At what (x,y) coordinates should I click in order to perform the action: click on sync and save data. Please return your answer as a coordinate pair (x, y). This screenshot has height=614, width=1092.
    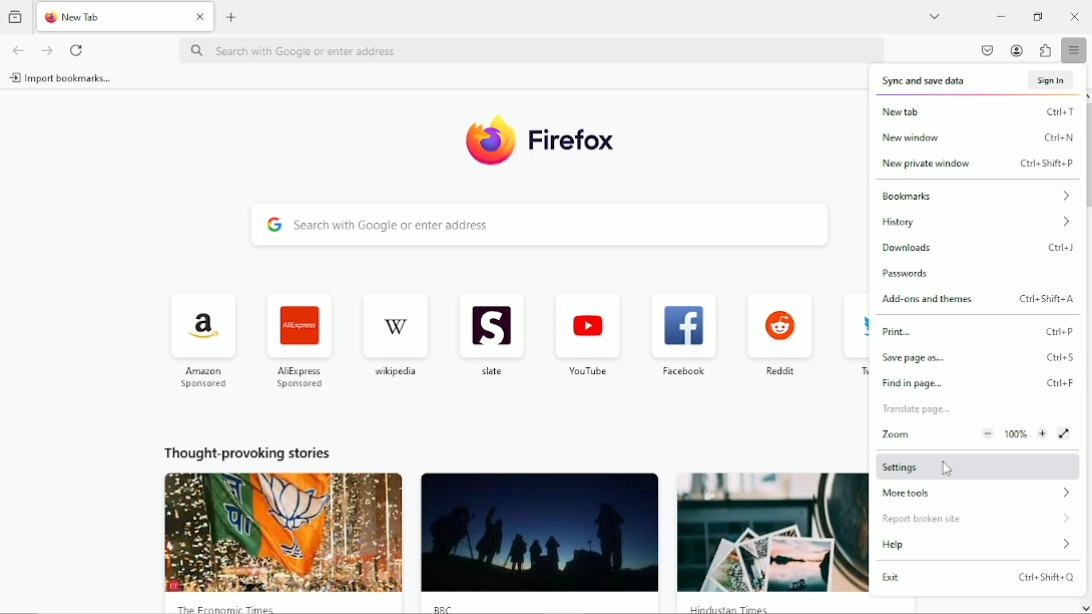
    Looking at the image, I should click on (947, 82).